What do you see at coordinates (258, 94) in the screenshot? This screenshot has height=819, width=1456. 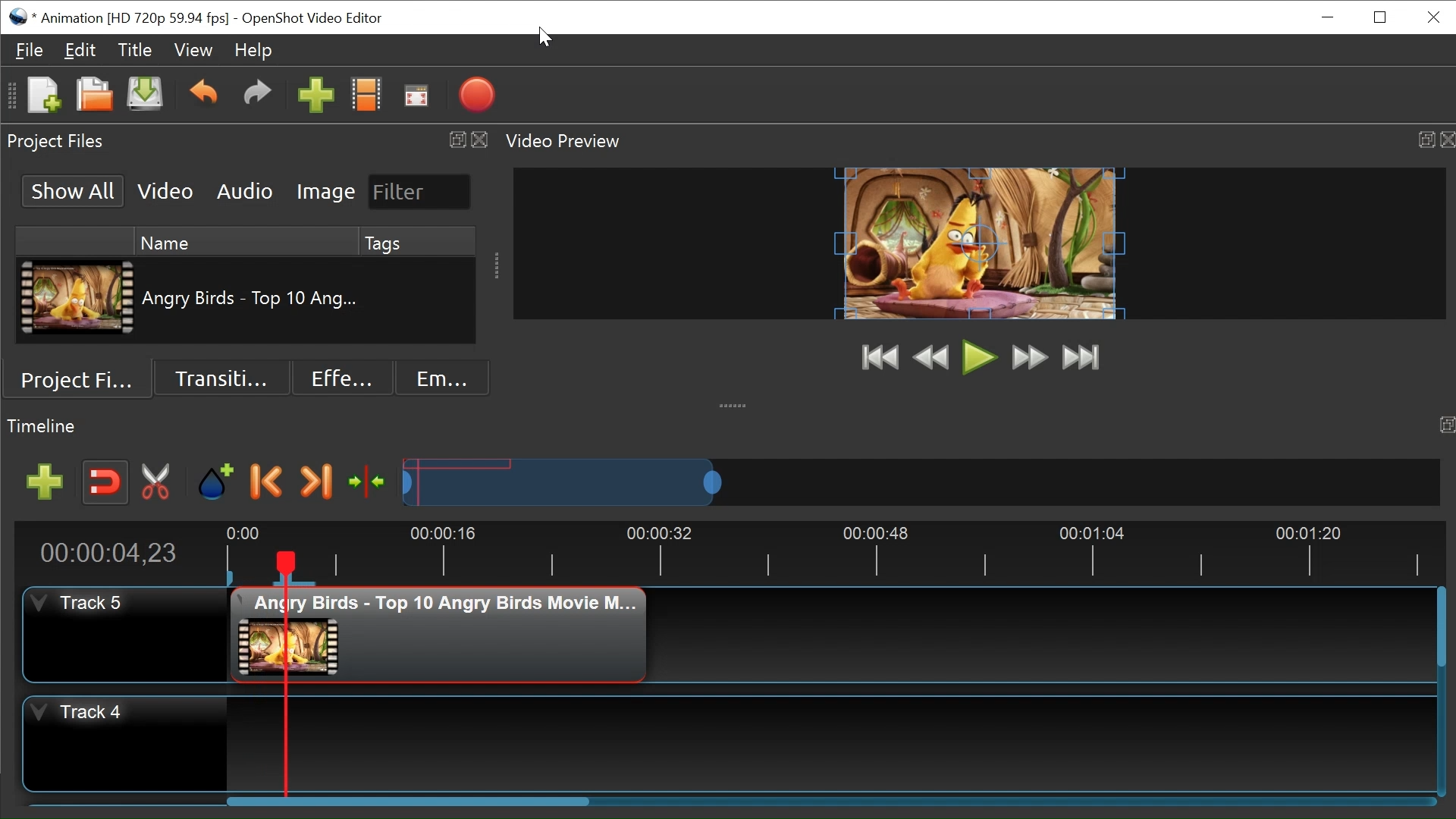 I see `Redo` at bounding box center [258, 94].